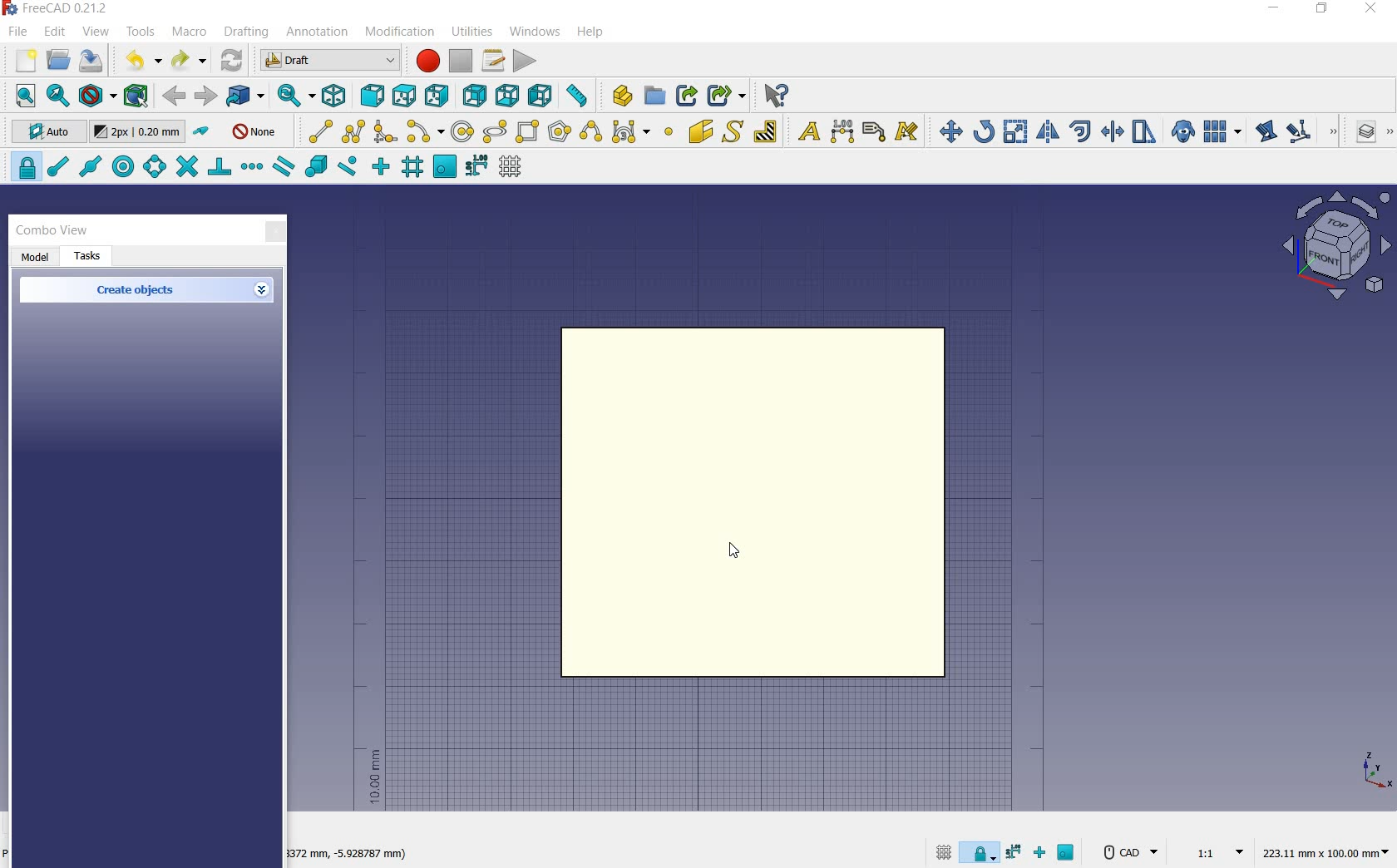 Image resolution: width=1397 pixels, height=868 pixels. What do you see at coordinates (476, 166) in the screenshot?
I see `snap dimensions` at bounding box center [476, 166].